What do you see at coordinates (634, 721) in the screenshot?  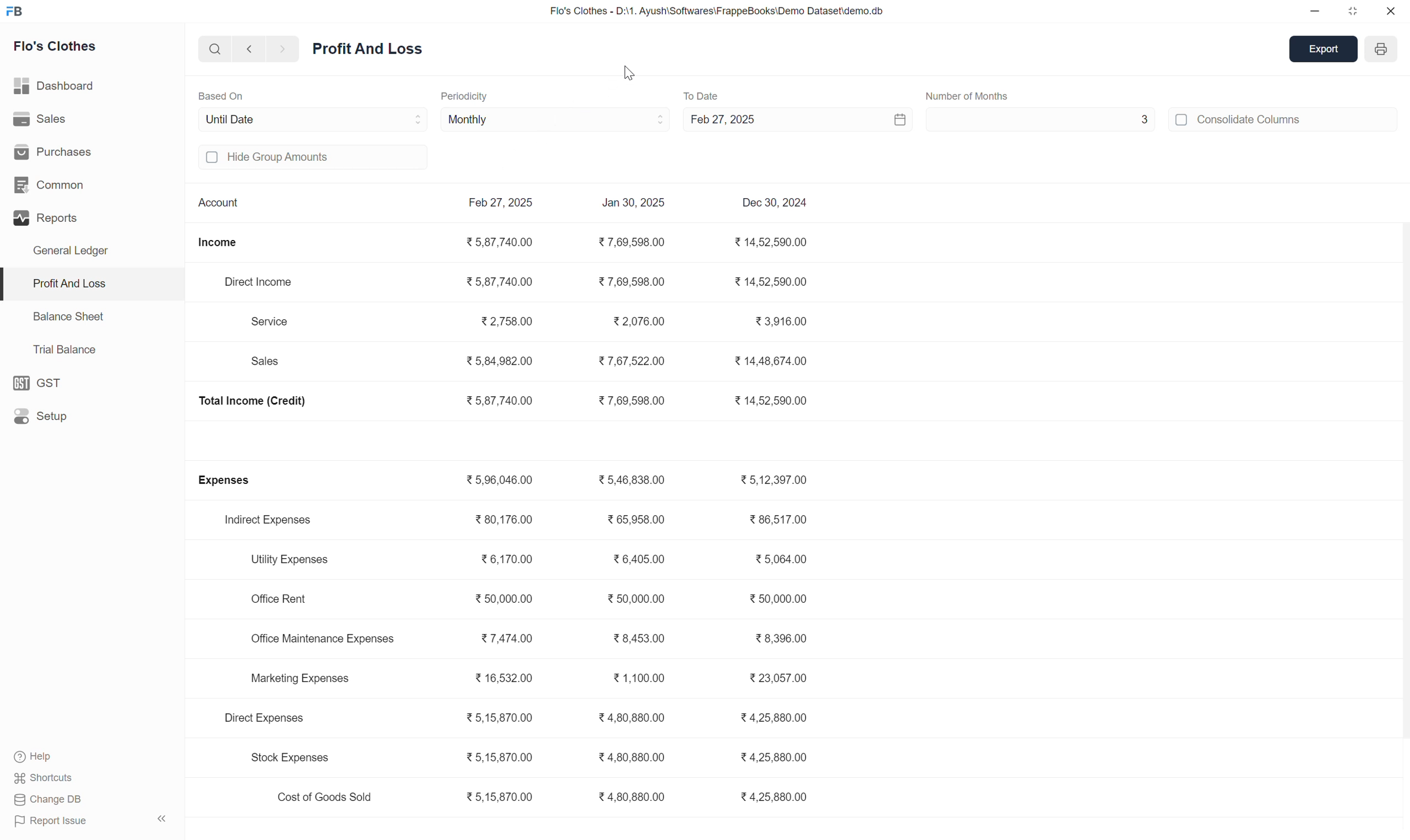 I see `₹4,80,880.00` at bounding box center [634, 721].